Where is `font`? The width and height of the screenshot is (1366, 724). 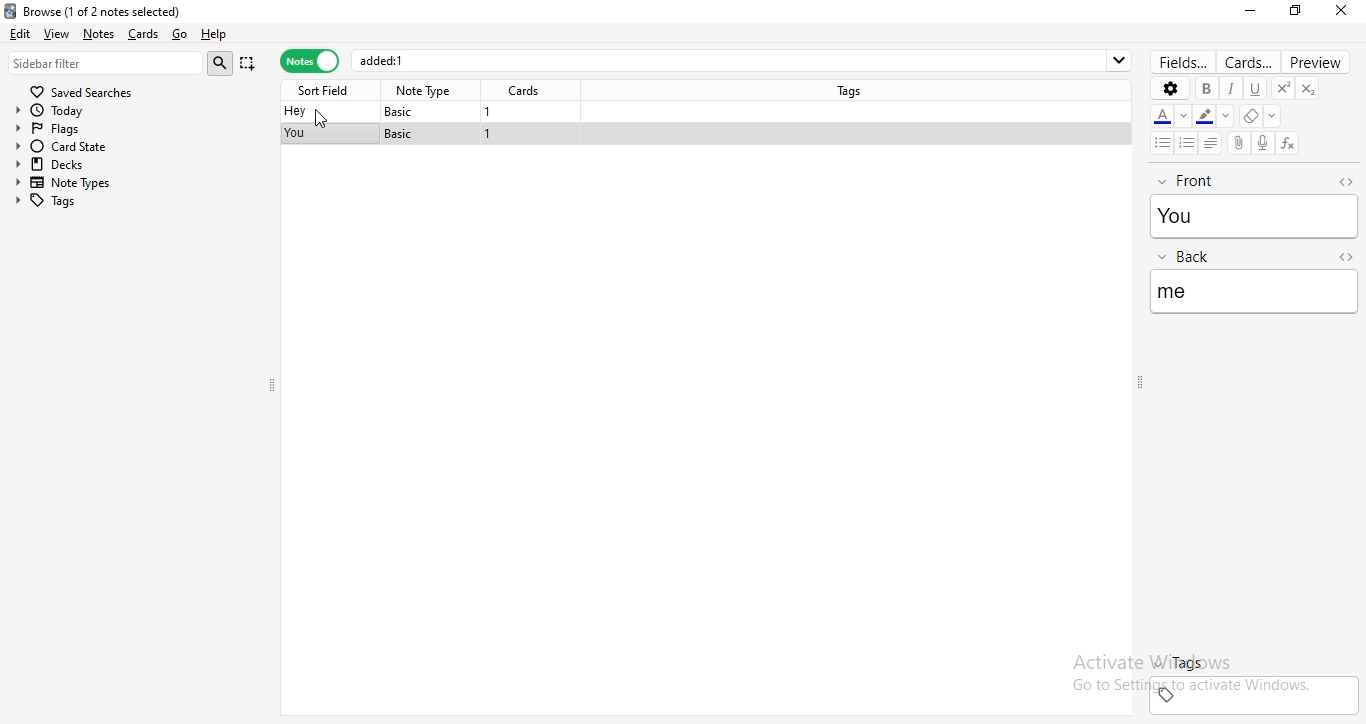 font is located at coordinates (1169, 115).